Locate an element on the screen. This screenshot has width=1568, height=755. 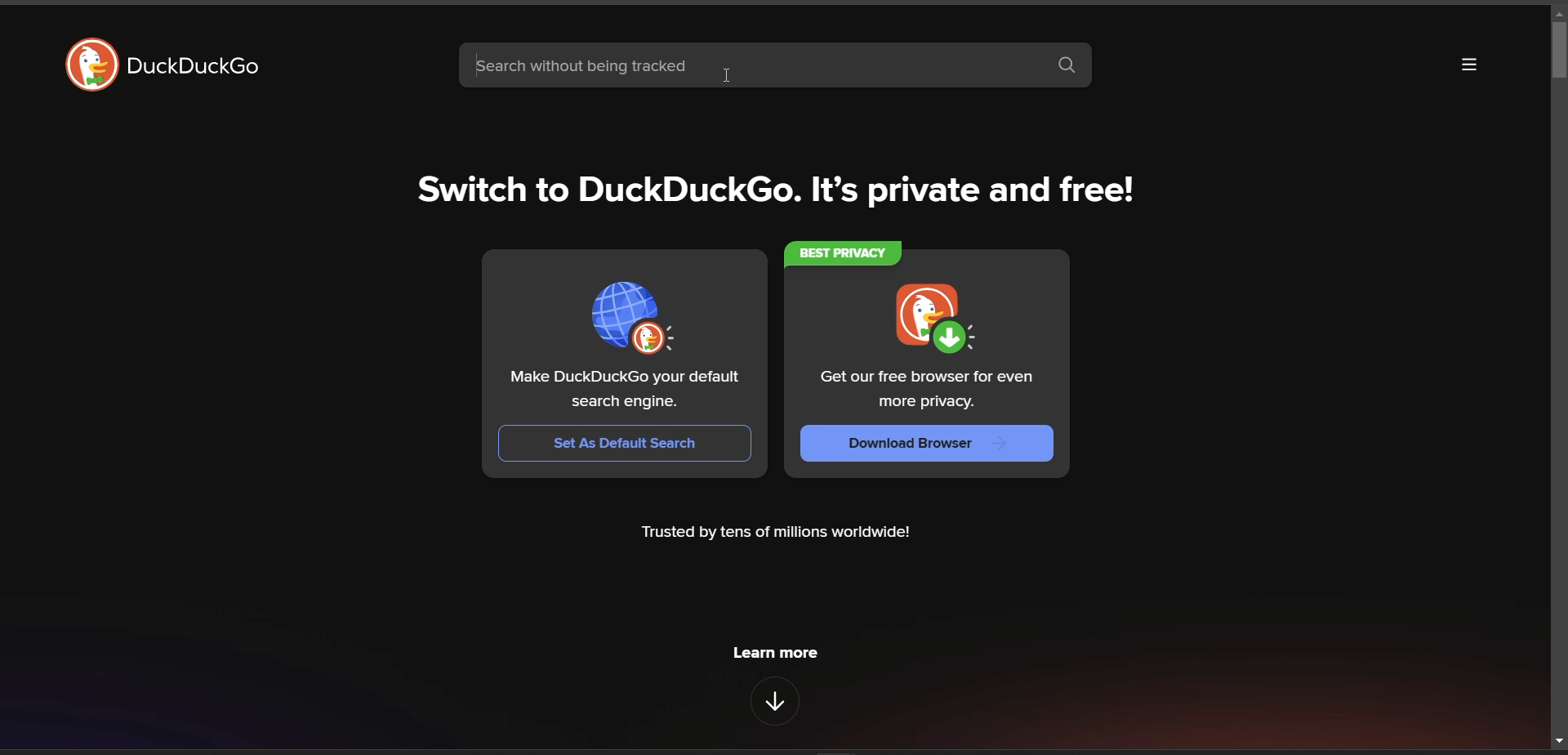
icon is located at coordinates (924, 316).